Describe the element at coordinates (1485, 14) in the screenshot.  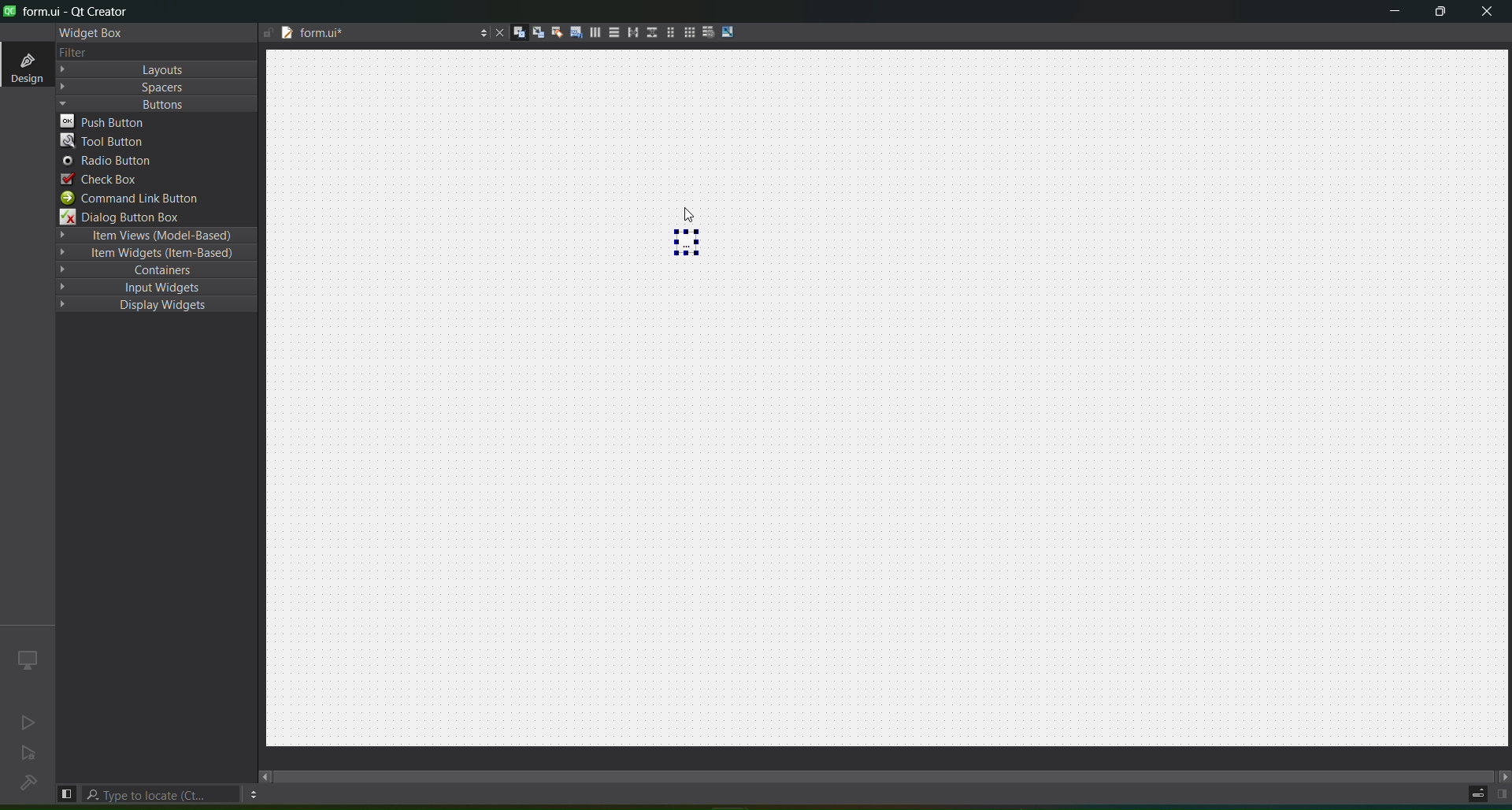
I see `close` at that location.